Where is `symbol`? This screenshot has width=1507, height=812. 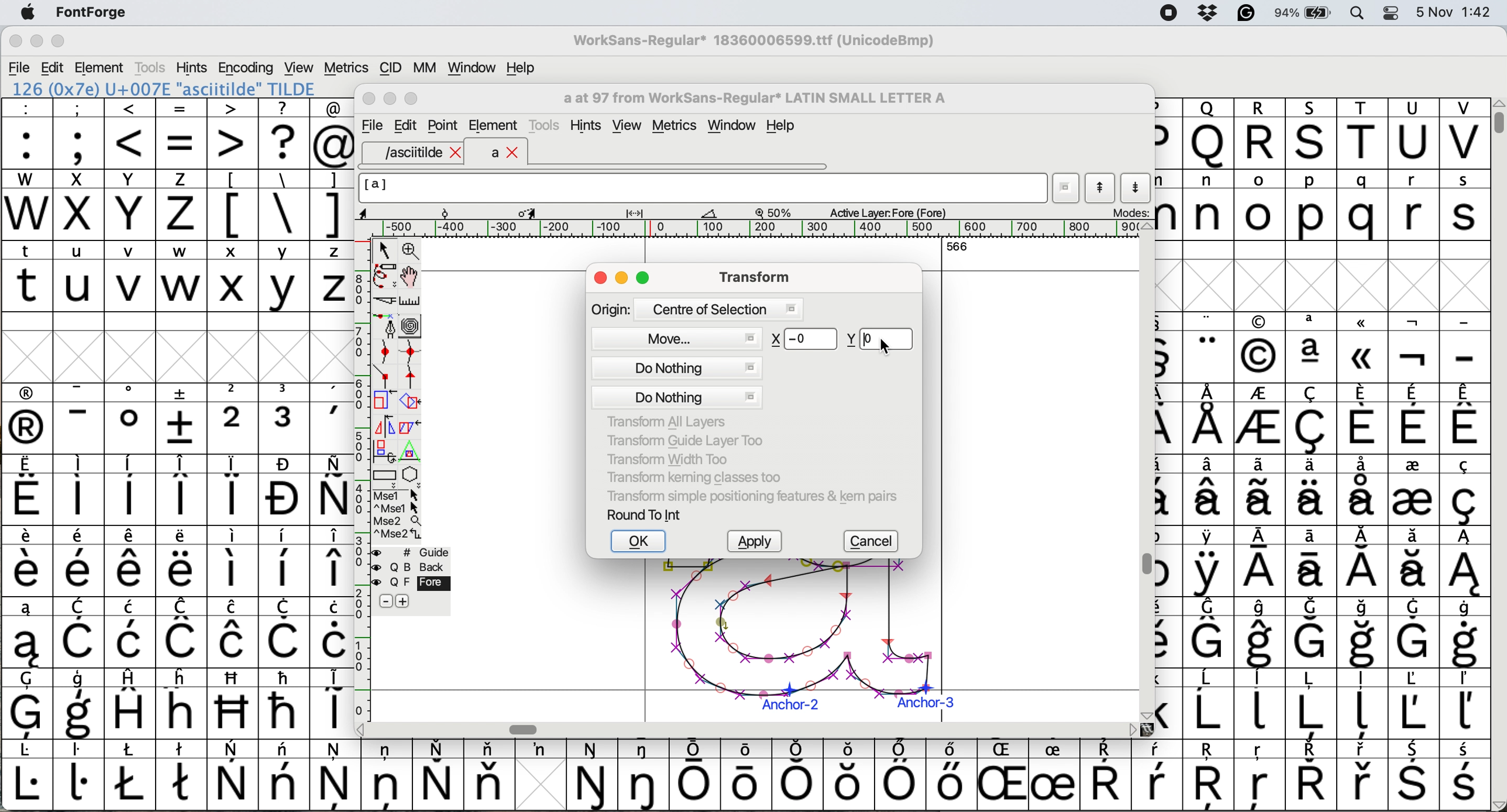
symbol is located at coordinates (332, 419).